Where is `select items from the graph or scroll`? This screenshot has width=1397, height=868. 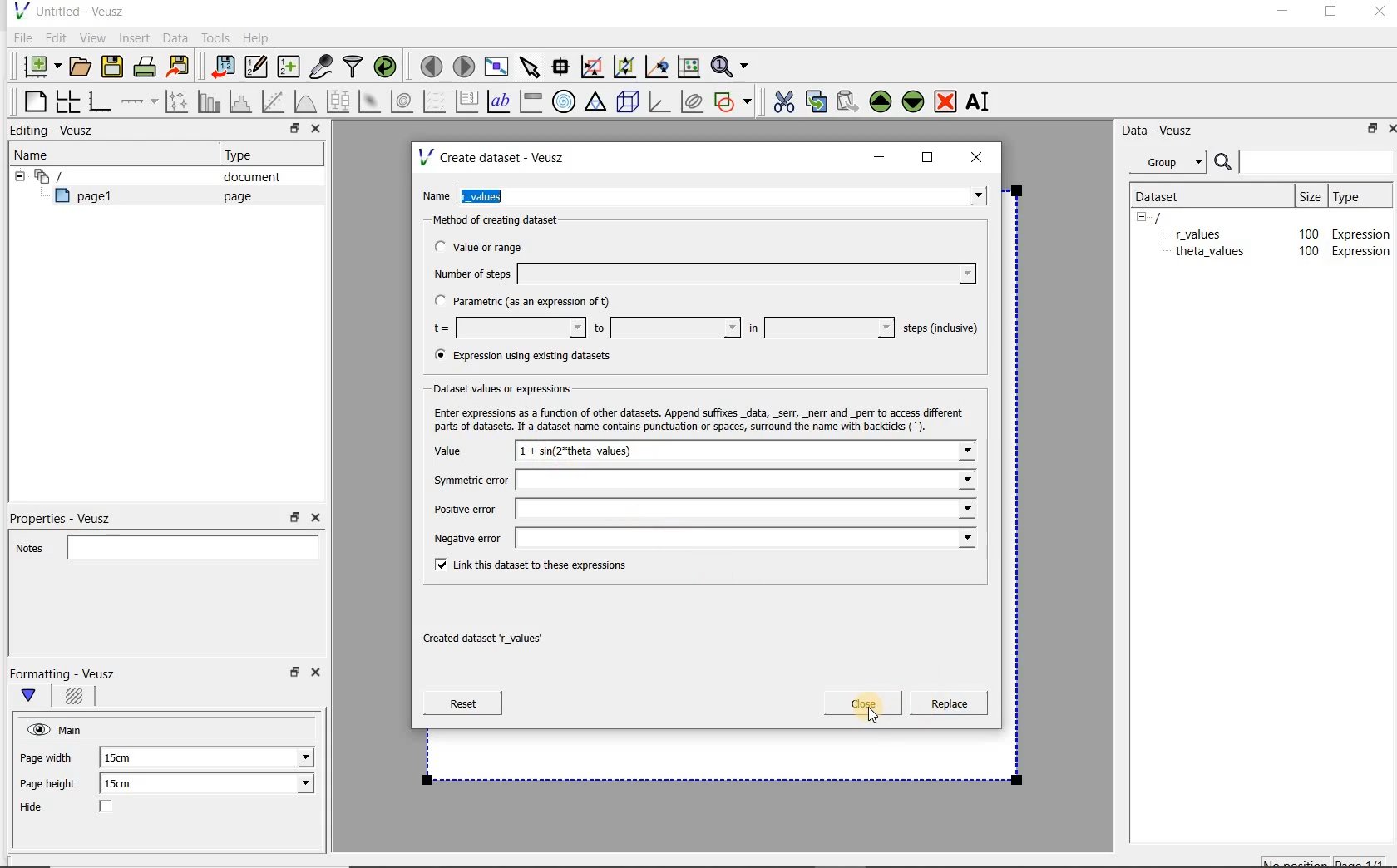
select items from the graph or scroll is located at coordinates (529, 65).